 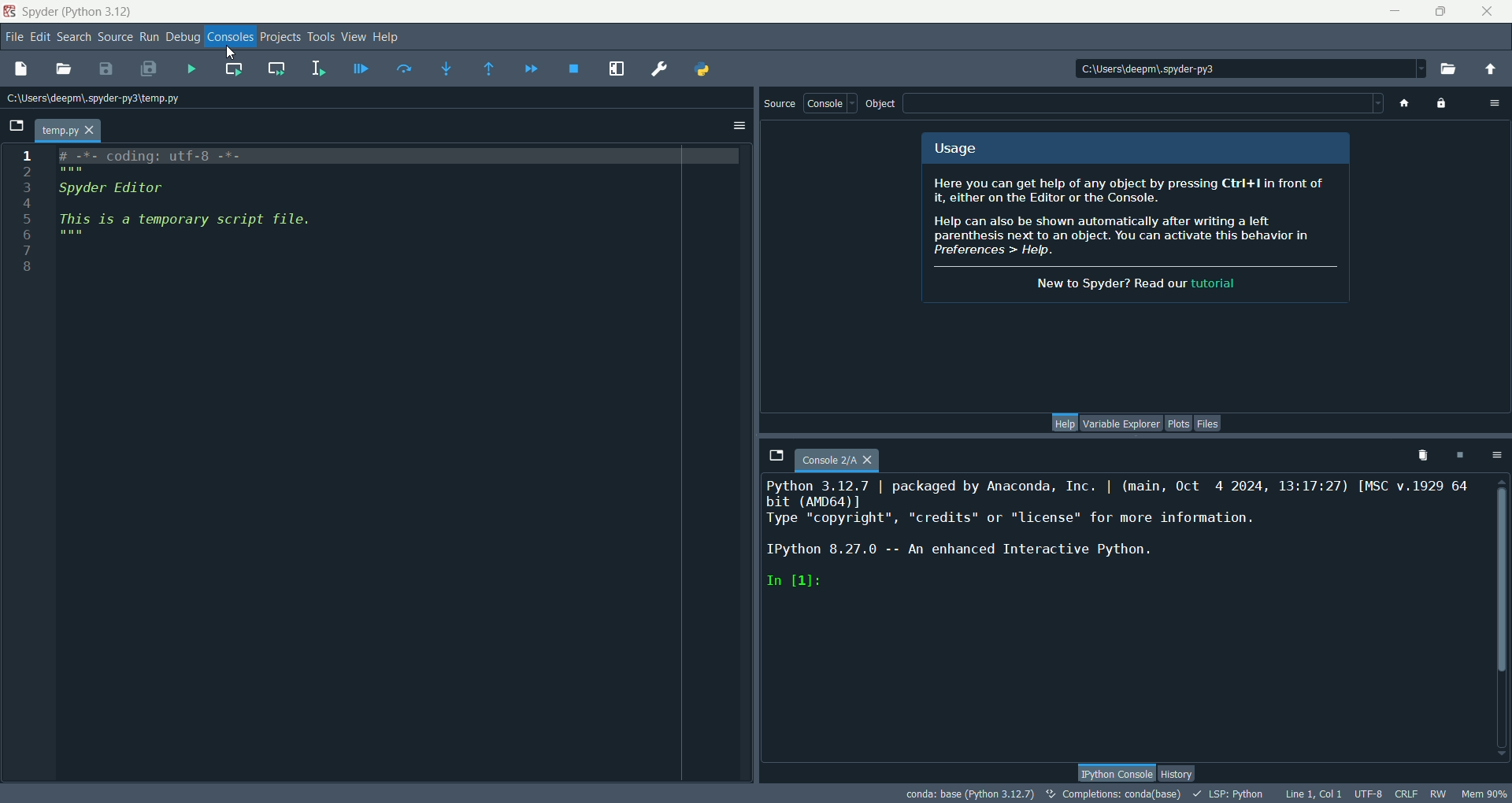 What do you see at coordinates (1143, 101) in the screenshot?
I see `blank space` at bounding box center [1143, 101].